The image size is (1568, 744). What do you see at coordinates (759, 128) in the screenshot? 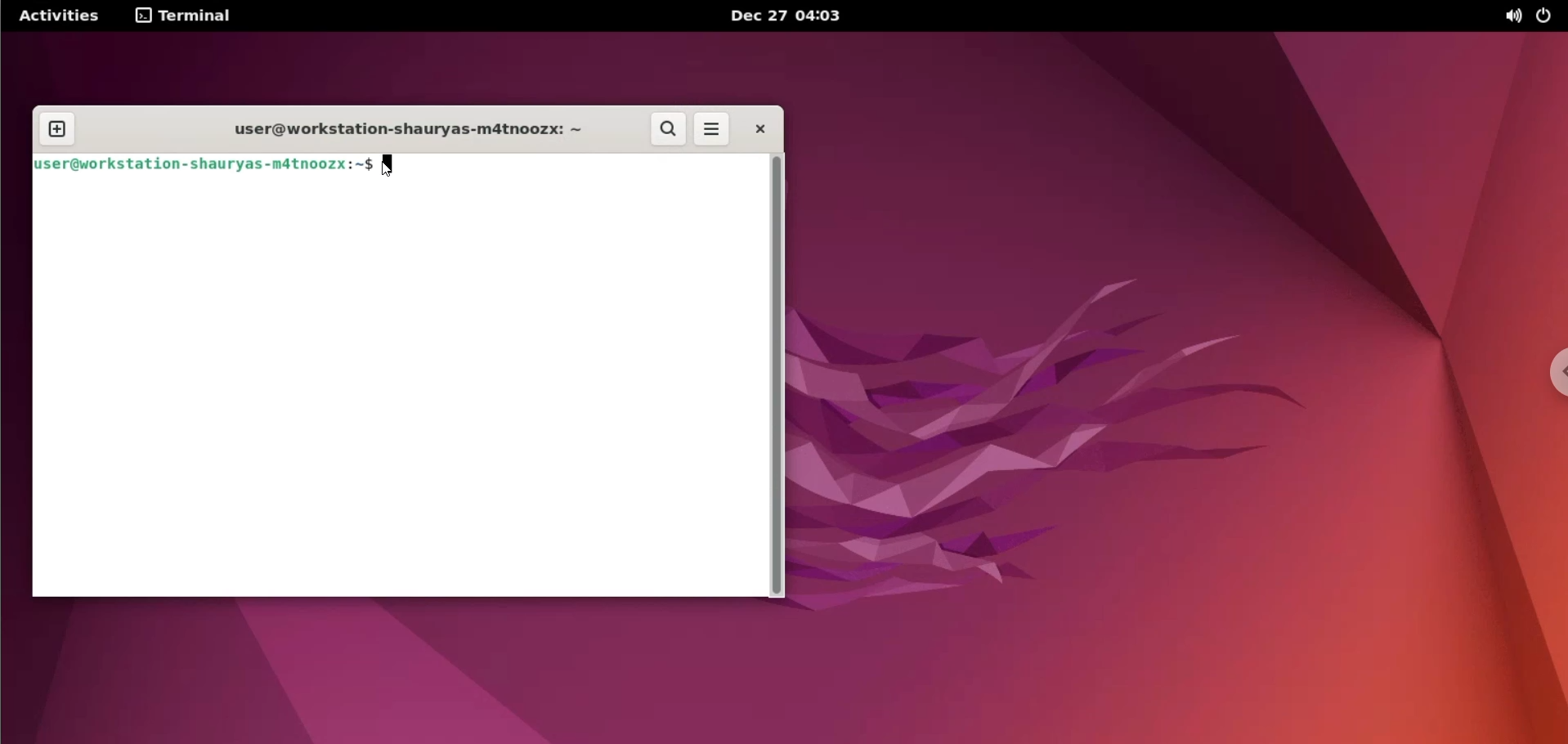
I see `close` at bounding box center [759, 128].